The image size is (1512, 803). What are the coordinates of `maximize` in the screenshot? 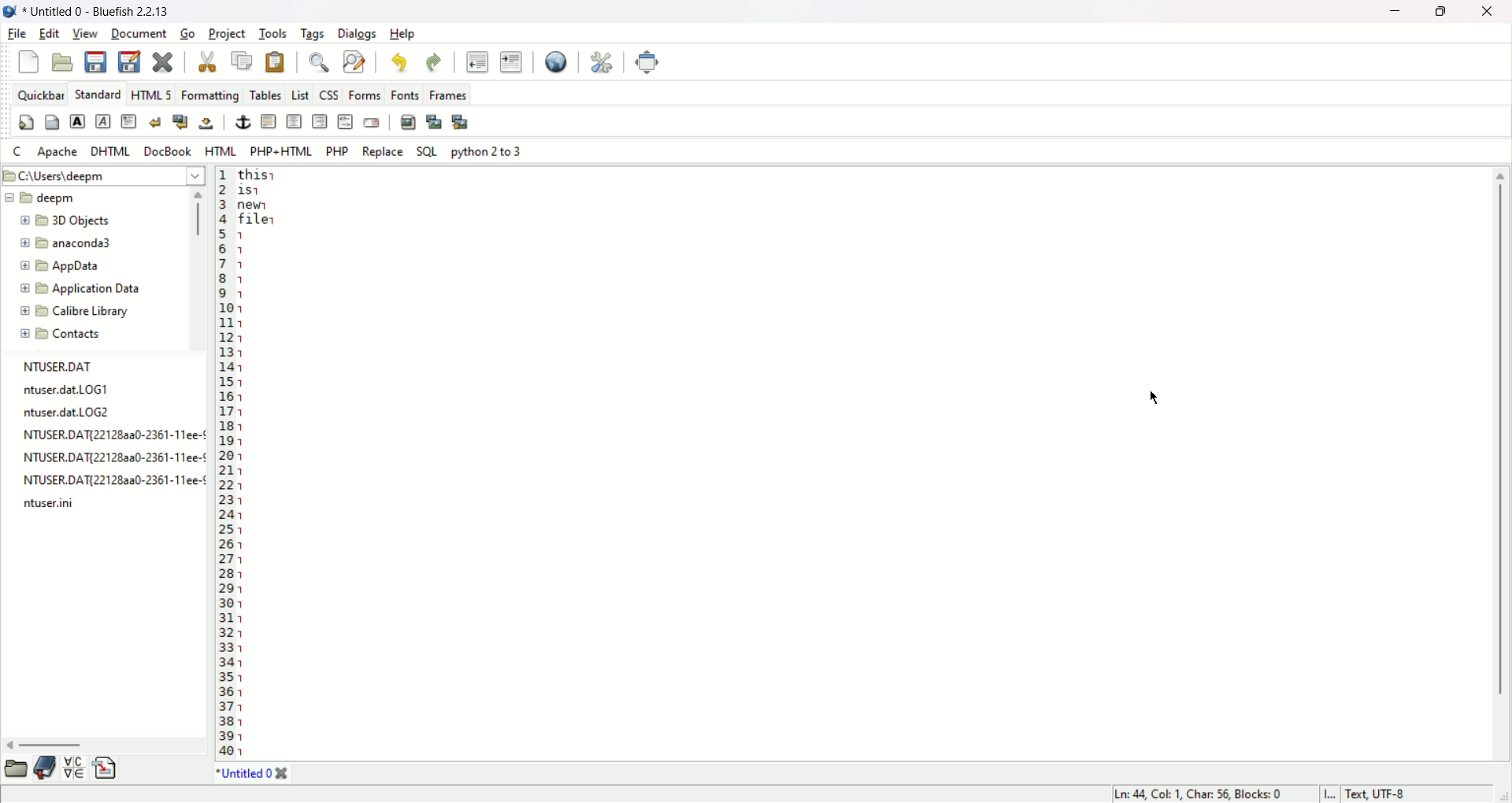 It's located at (1444, 11).